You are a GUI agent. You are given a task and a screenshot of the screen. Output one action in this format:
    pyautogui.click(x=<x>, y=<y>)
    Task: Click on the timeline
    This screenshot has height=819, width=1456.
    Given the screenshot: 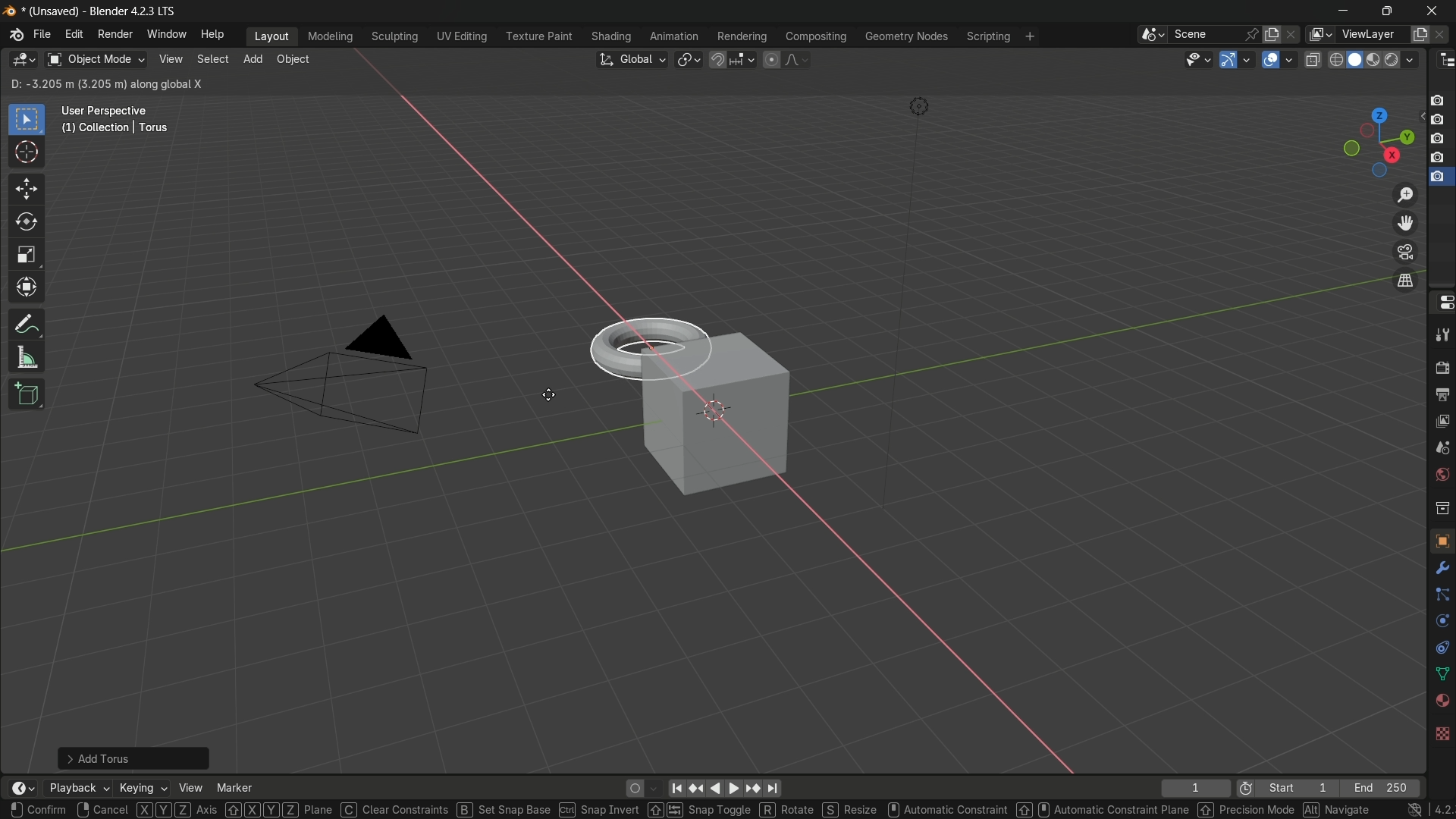 What is the action you would take?
    pyautogui.click(x=23, y=788)
    